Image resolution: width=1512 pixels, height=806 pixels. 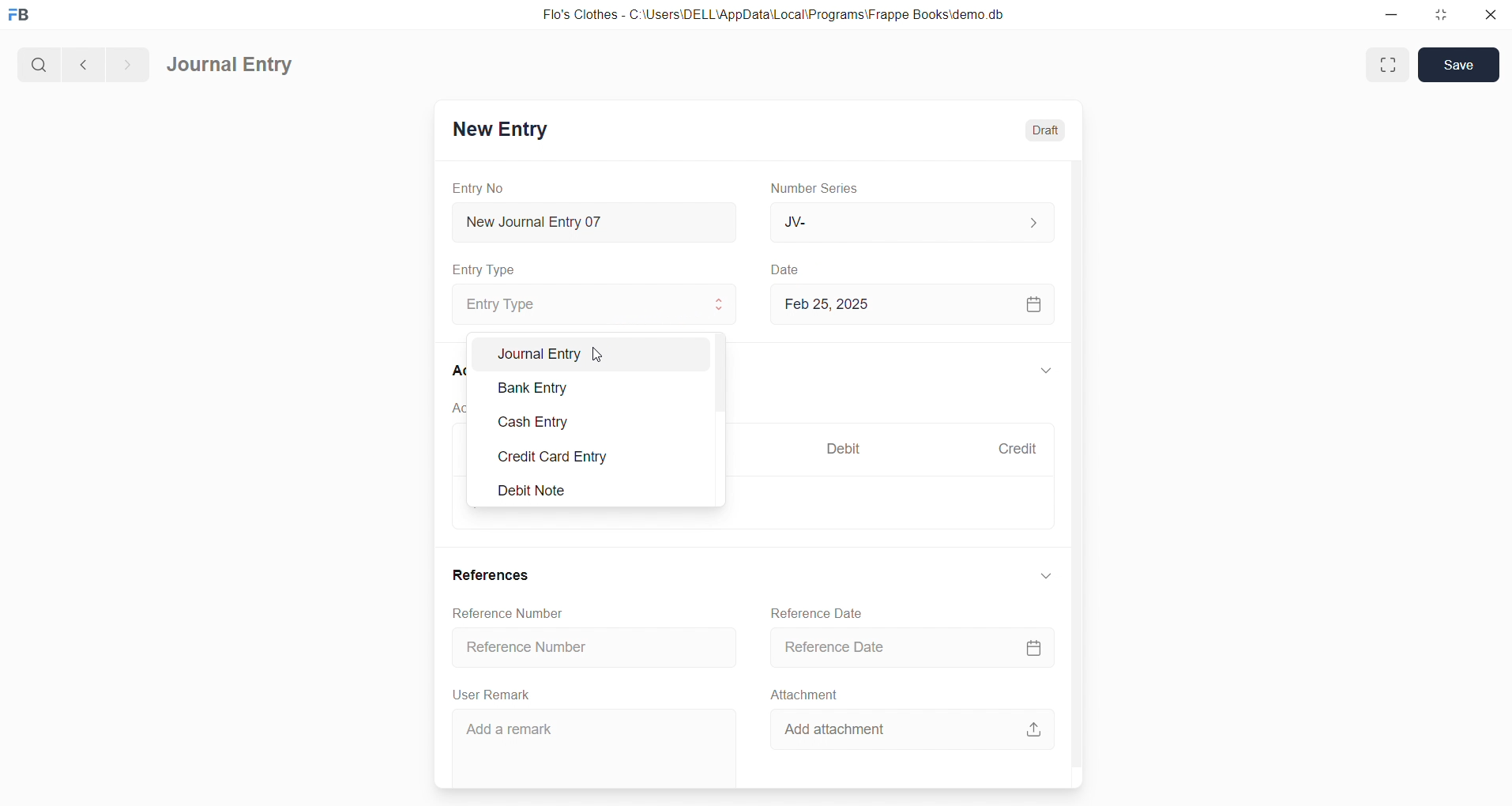 What do you see at coordinates (23, 16) in the screenshot?
I see `logo` at bounding box center [23, 16].